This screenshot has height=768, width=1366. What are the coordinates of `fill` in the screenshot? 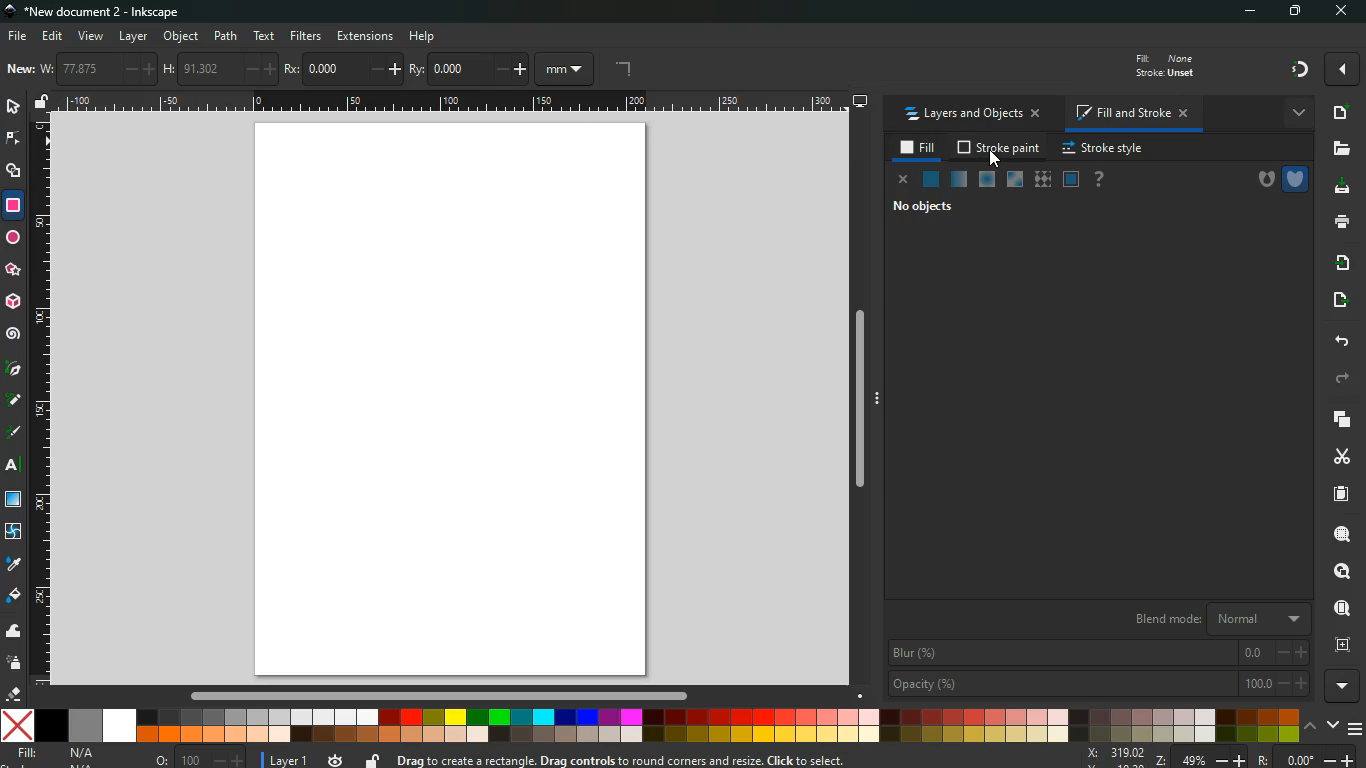 It's located at (917, 149).